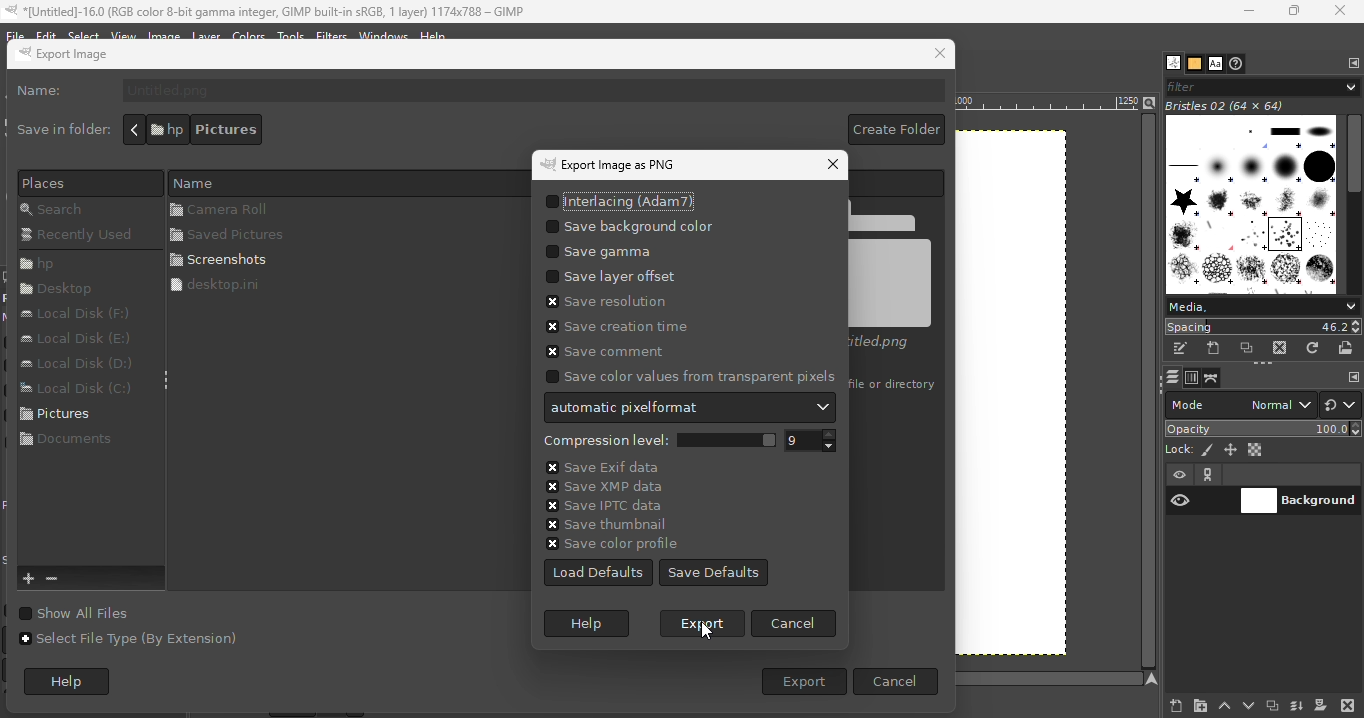  Describe the element at coordinates (63, 292) in the screenshot. I see `Desktop` at that location.